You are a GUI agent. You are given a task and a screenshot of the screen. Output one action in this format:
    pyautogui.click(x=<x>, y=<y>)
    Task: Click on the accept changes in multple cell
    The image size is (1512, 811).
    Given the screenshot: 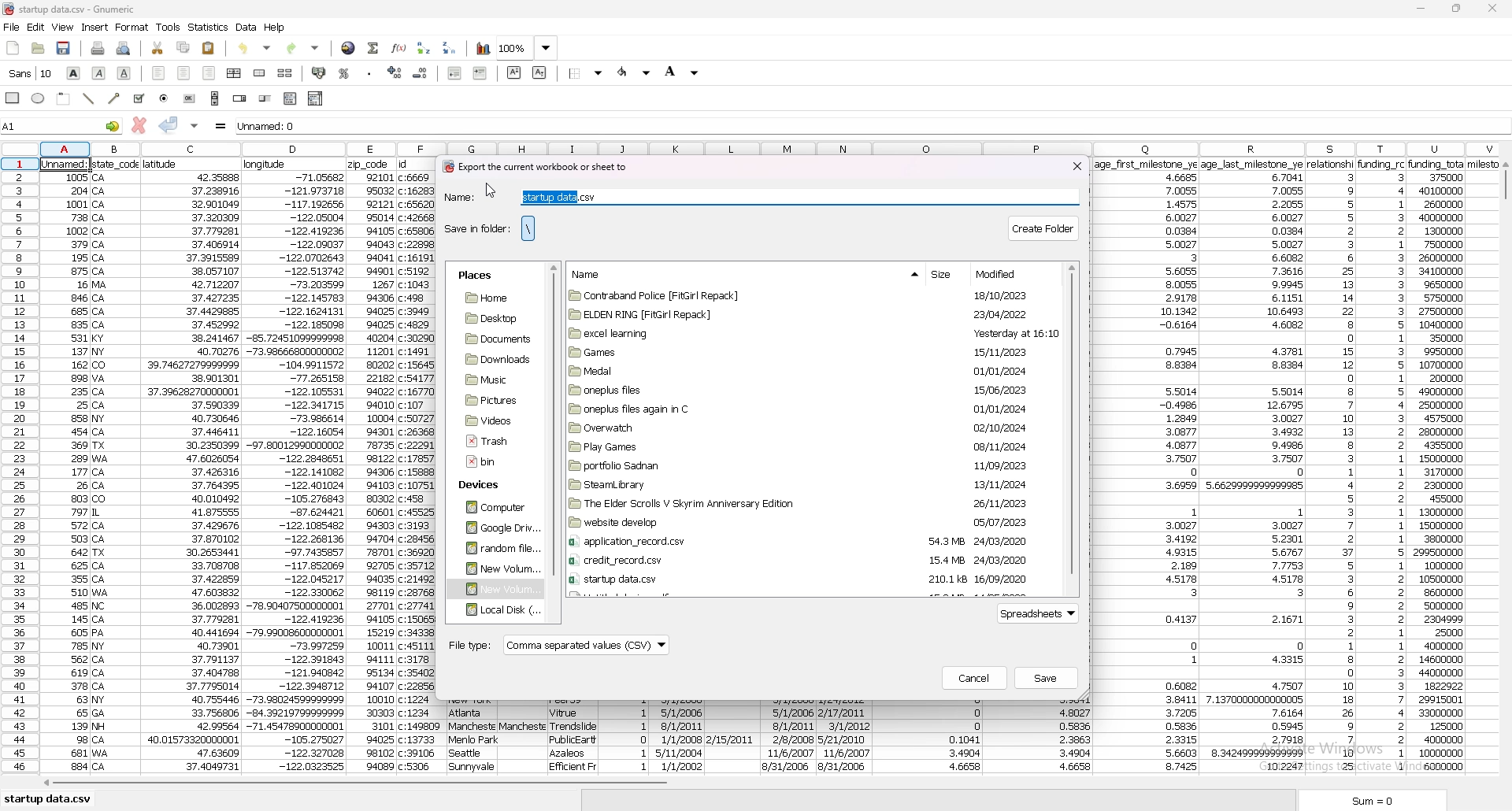 What is the action you would take?
    pyautogui.click(x=194, y=126)
    